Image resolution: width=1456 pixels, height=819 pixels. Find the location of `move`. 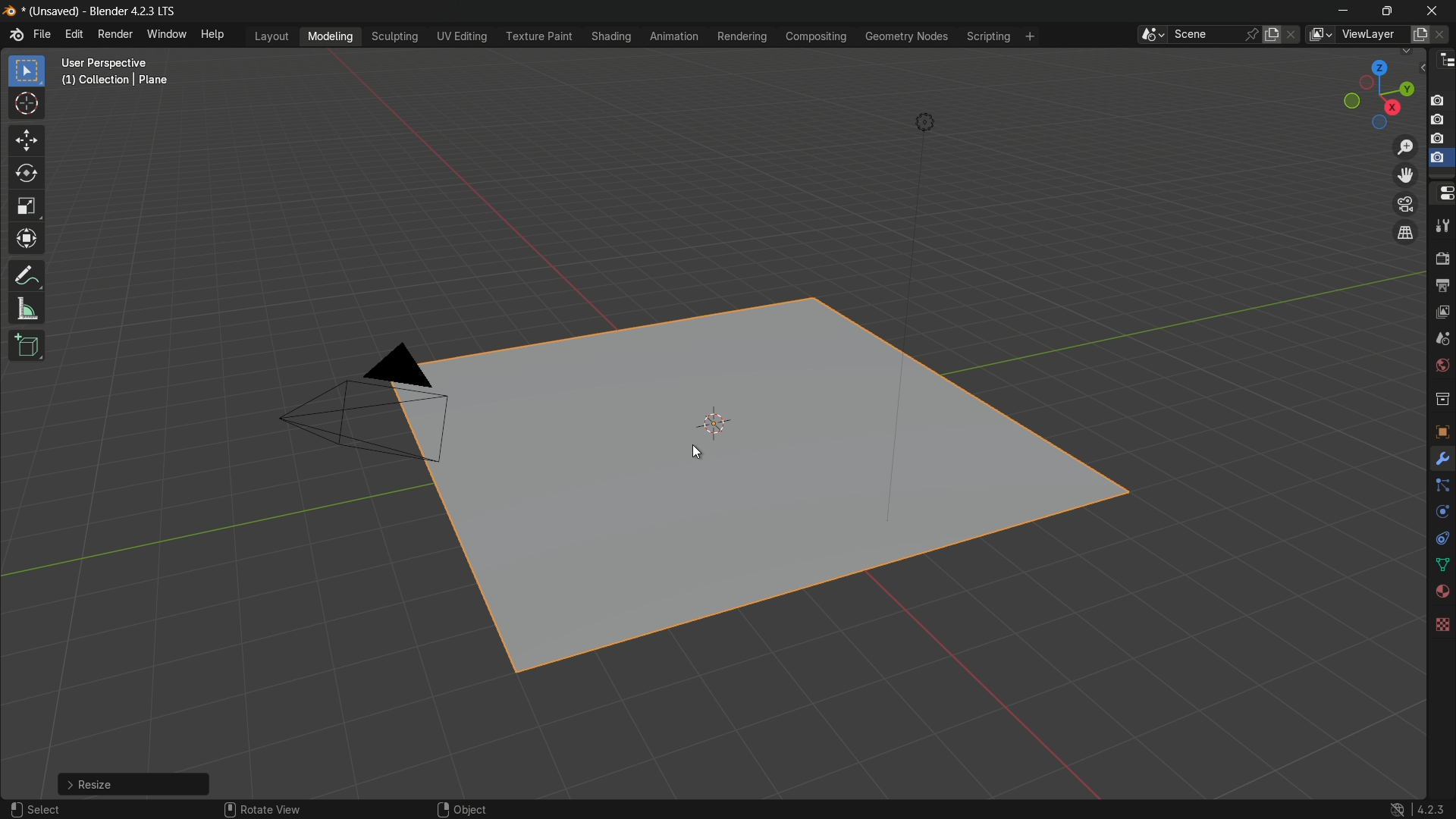

move is located at coordinates (29, 141).